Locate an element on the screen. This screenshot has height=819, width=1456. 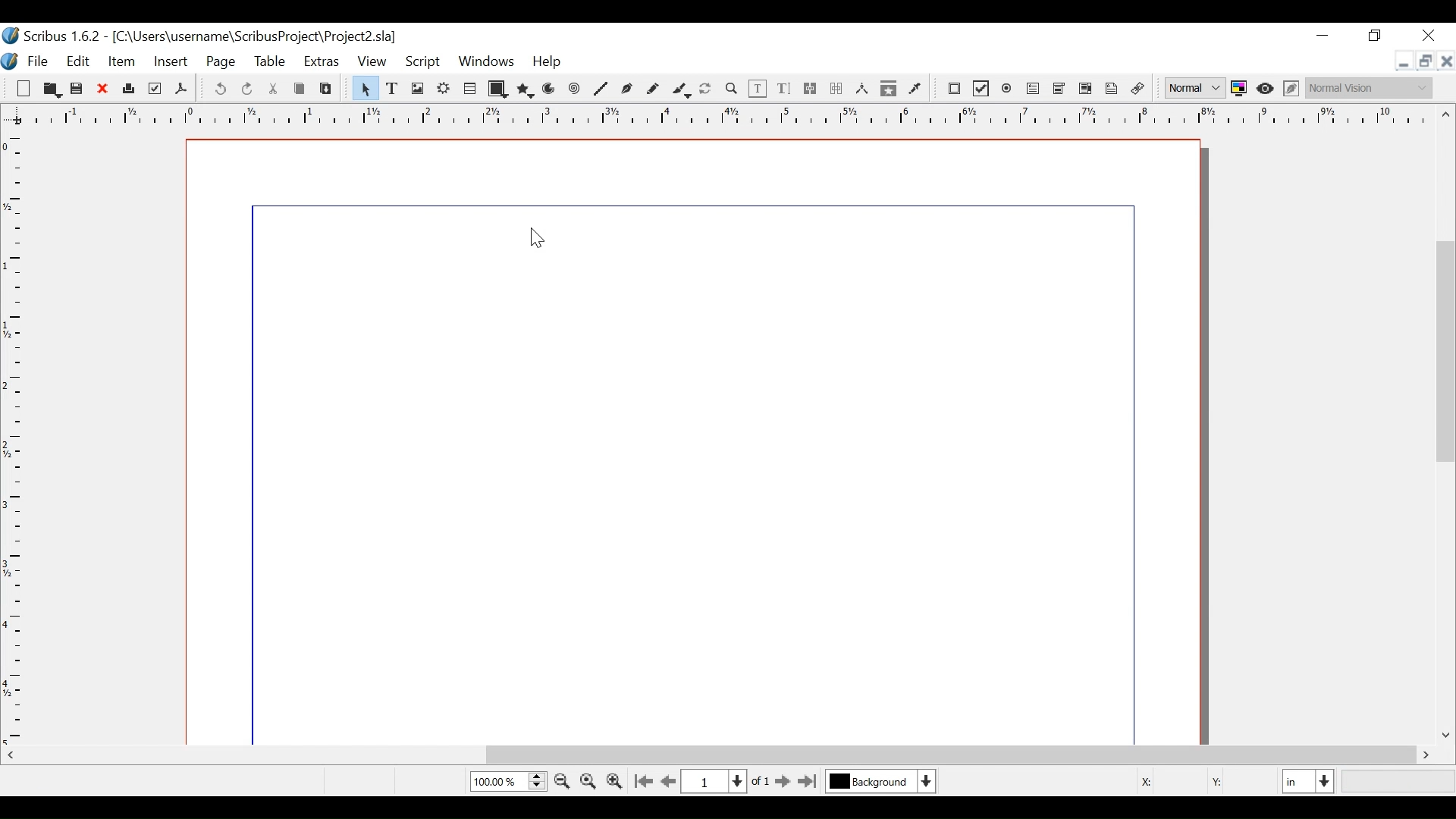
PDF List Box is located at coordinates (1059, 89).